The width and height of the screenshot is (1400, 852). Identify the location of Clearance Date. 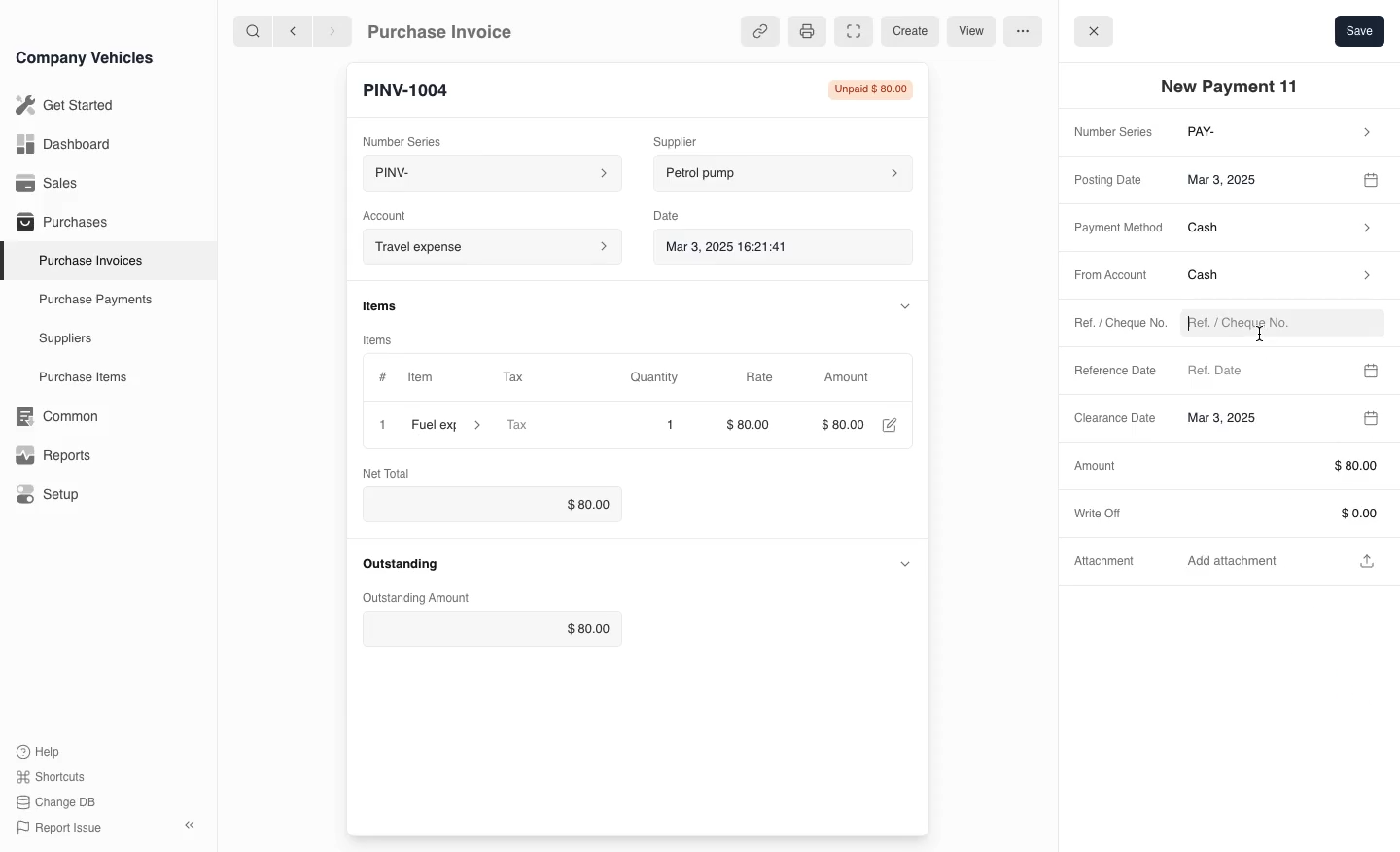
(1108, 420).